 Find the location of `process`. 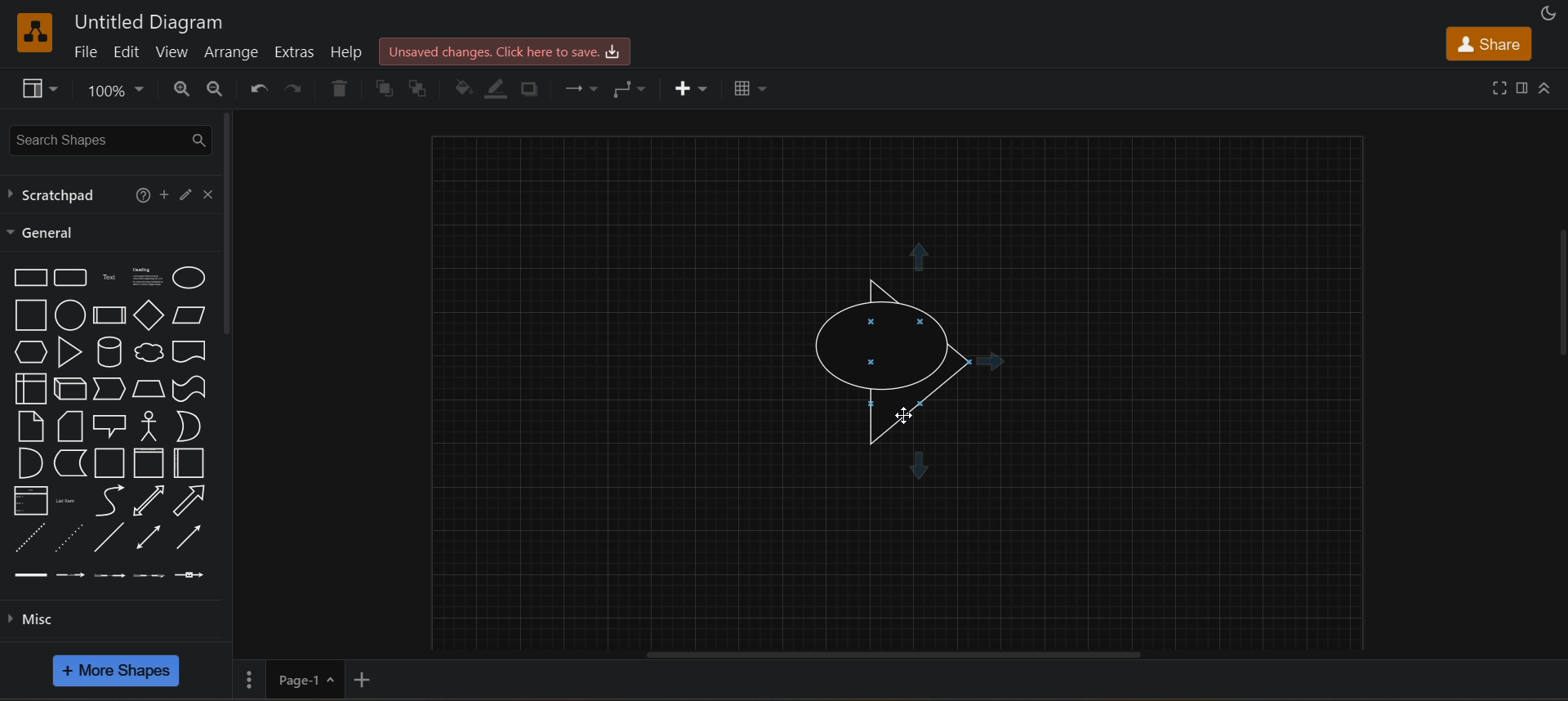

process is located at coordinates (109, 315).